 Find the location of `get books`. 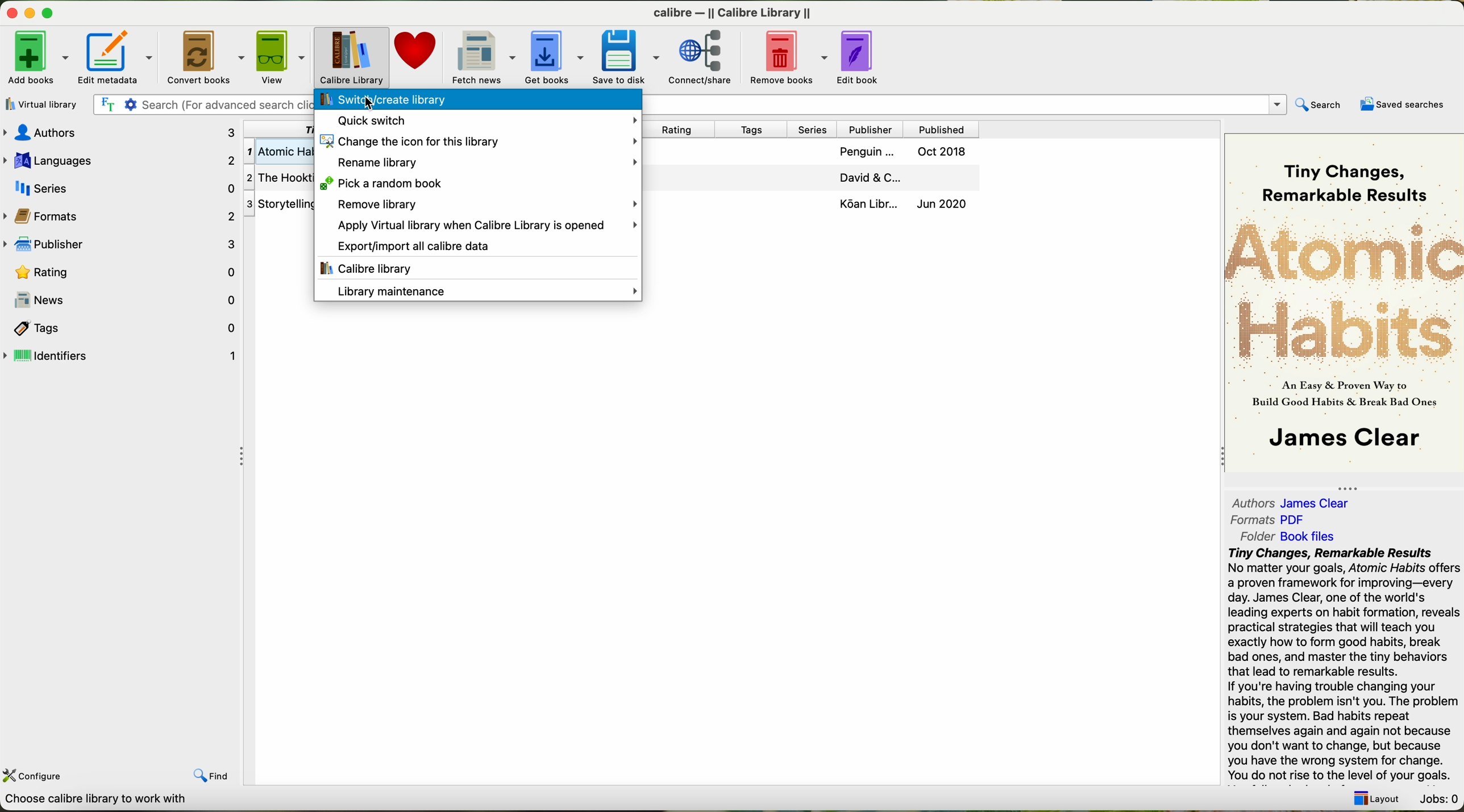

get books is located at coordinates (554, 55).